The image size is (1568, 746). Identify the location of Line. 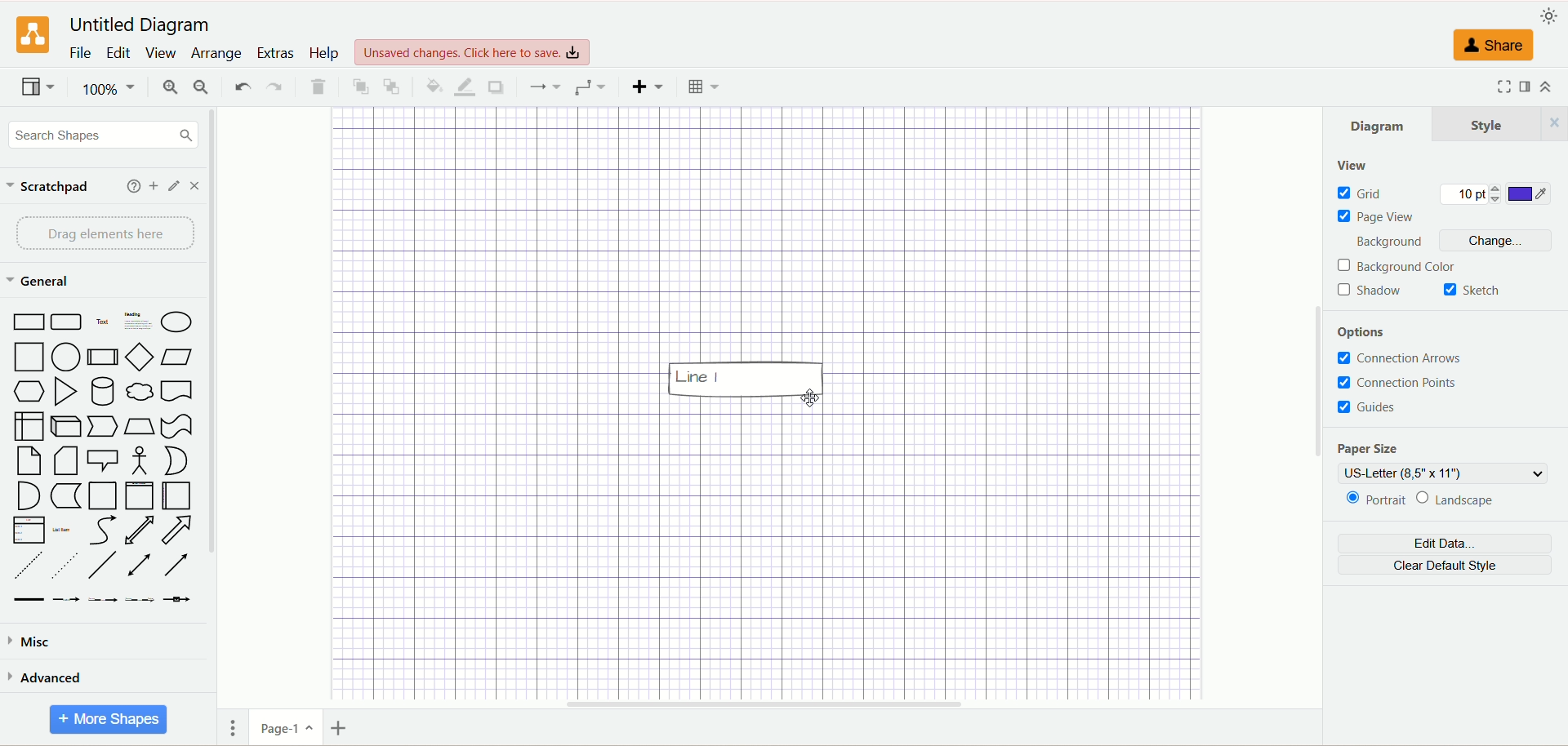
(103, 566).